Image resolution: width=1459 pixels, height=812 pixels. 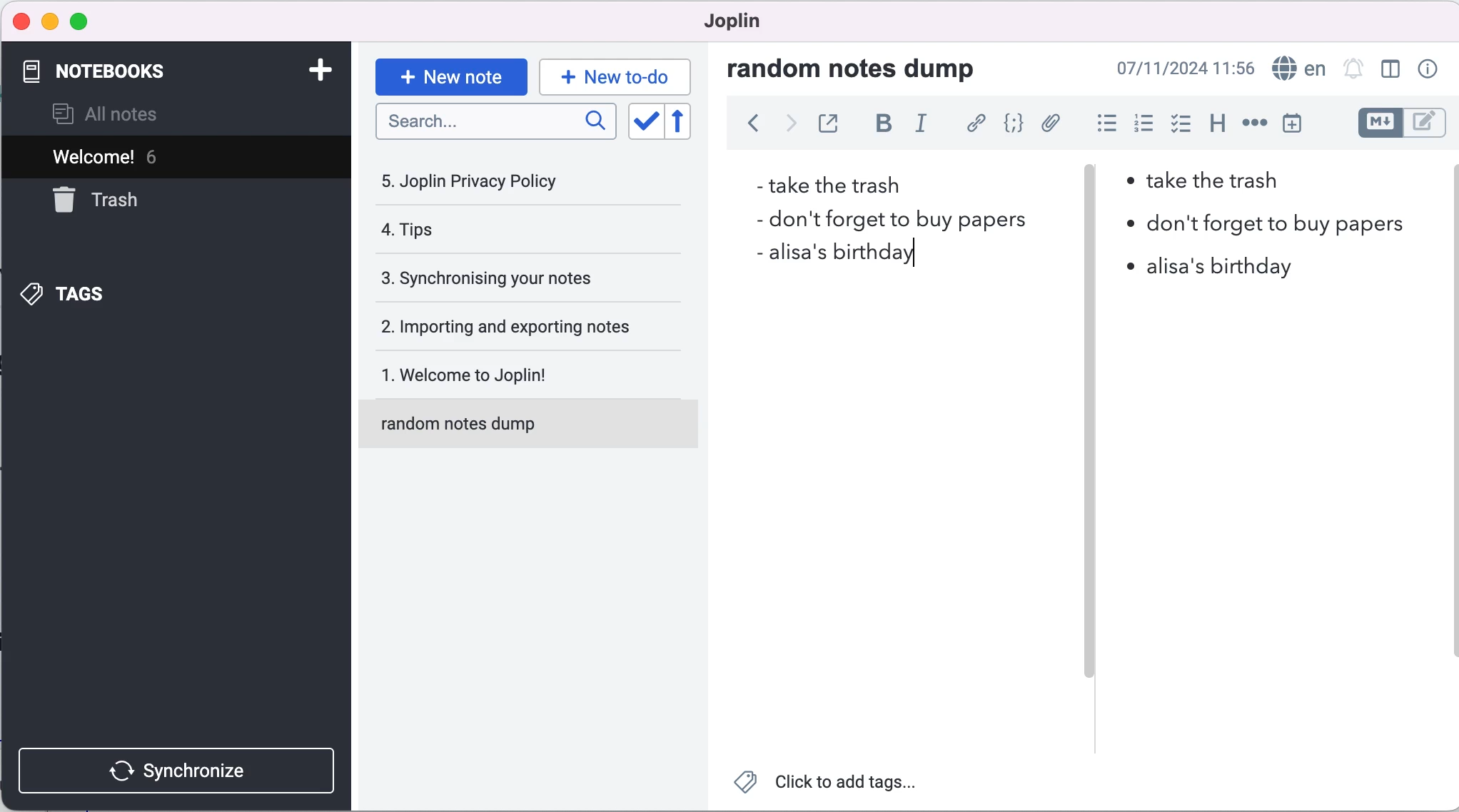 What do you see at coordinates (1049, 125) in the screenshot?
I see `attach file` at bounding box center [1049, 125].